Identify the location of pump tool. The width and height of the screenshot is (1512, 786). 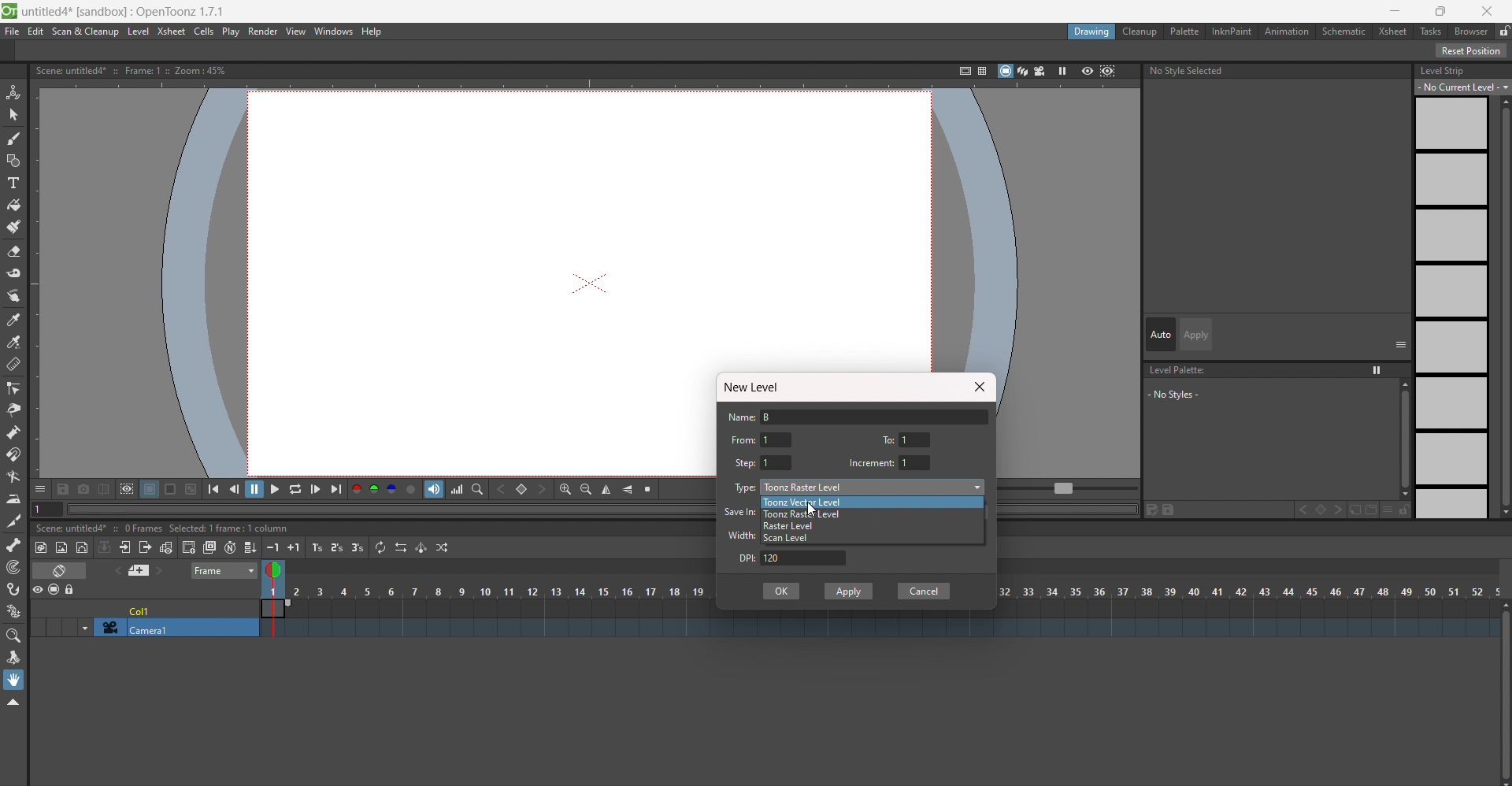
(12, 432).